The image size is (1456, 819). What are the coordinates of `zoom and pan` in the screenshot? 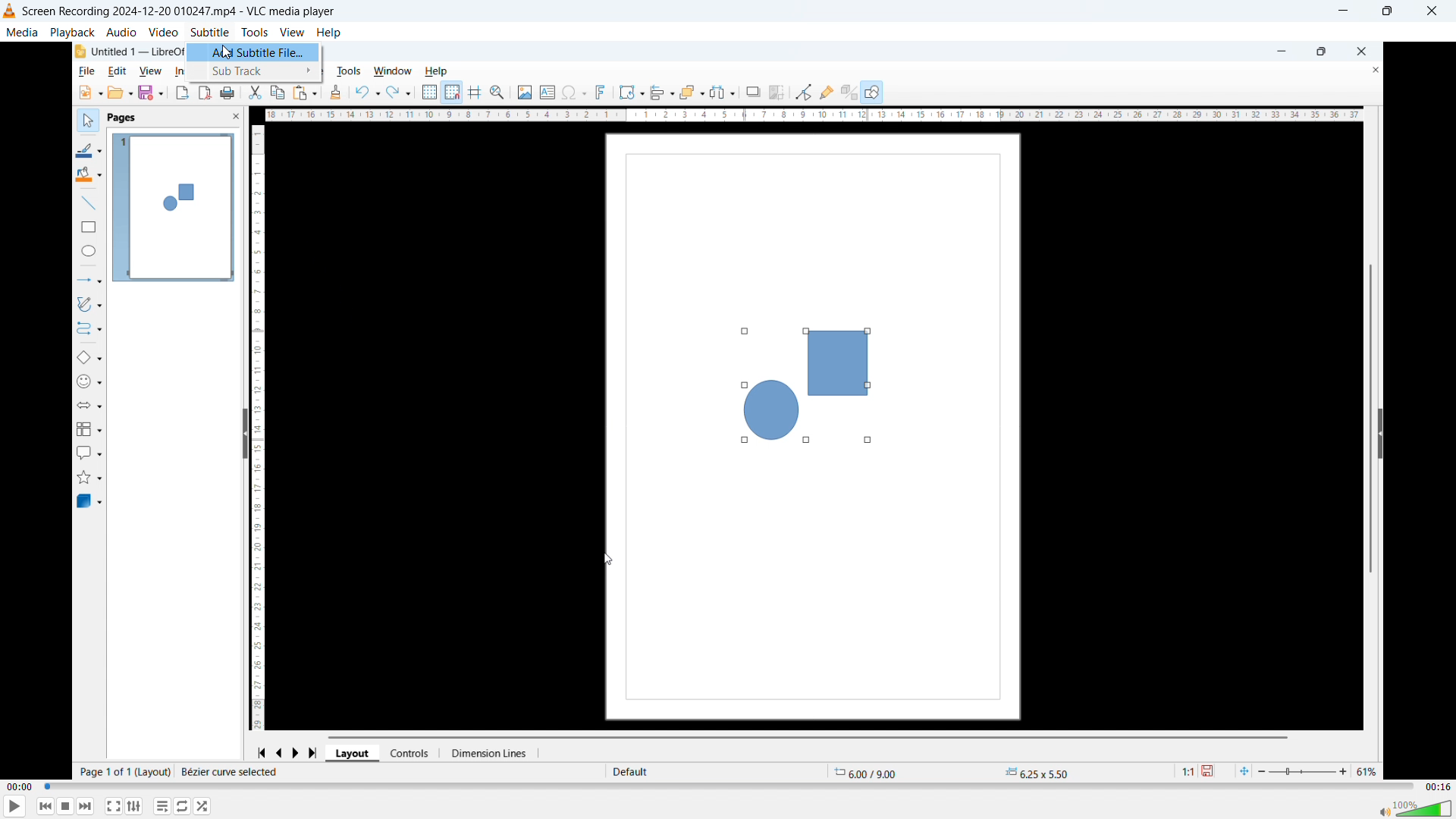 It's located at (500, 93).